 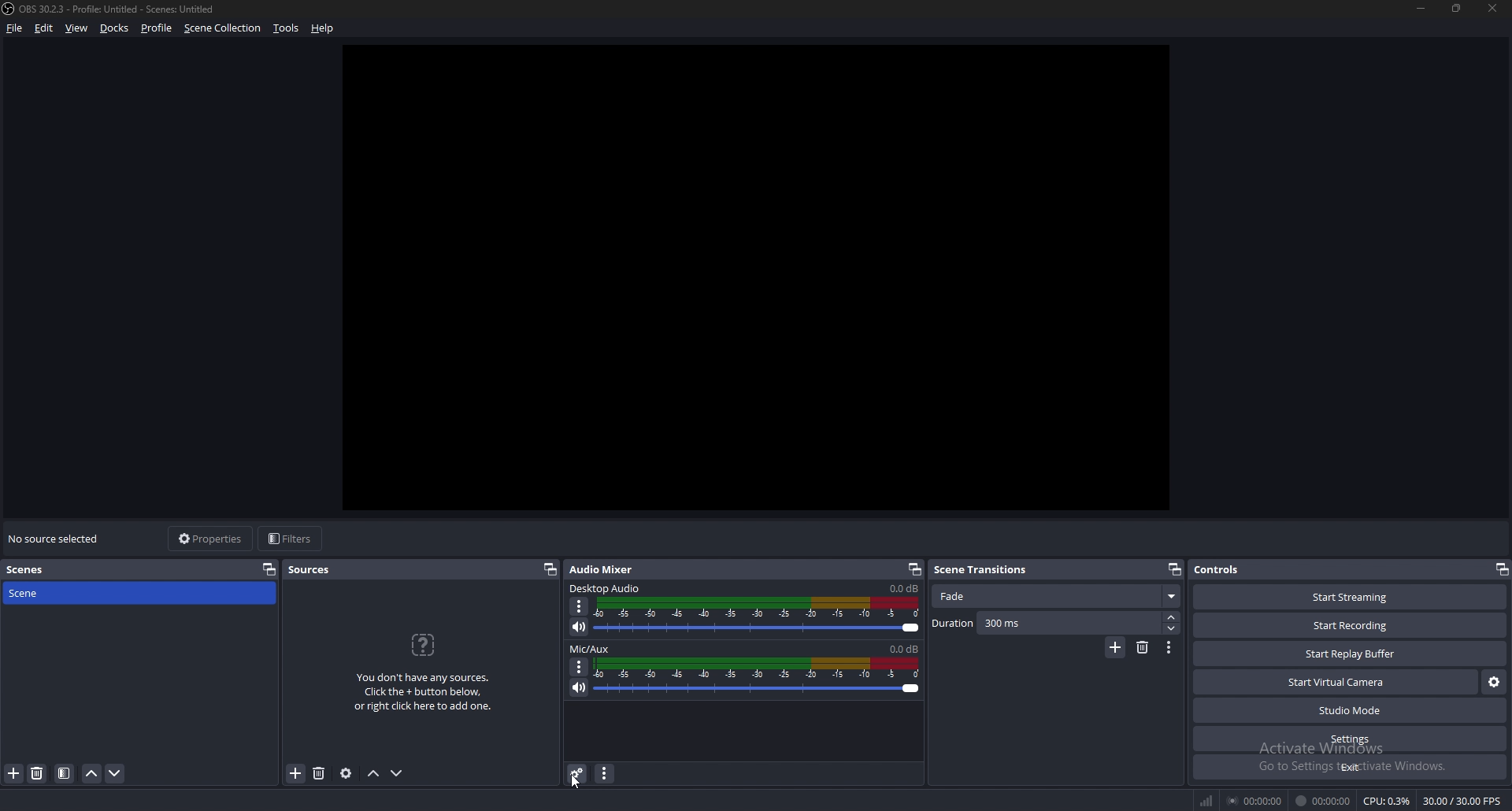 What do you see at coordinates (320, 772) in the screenshot?
I see `remove source` at bounding box center [320, 772].